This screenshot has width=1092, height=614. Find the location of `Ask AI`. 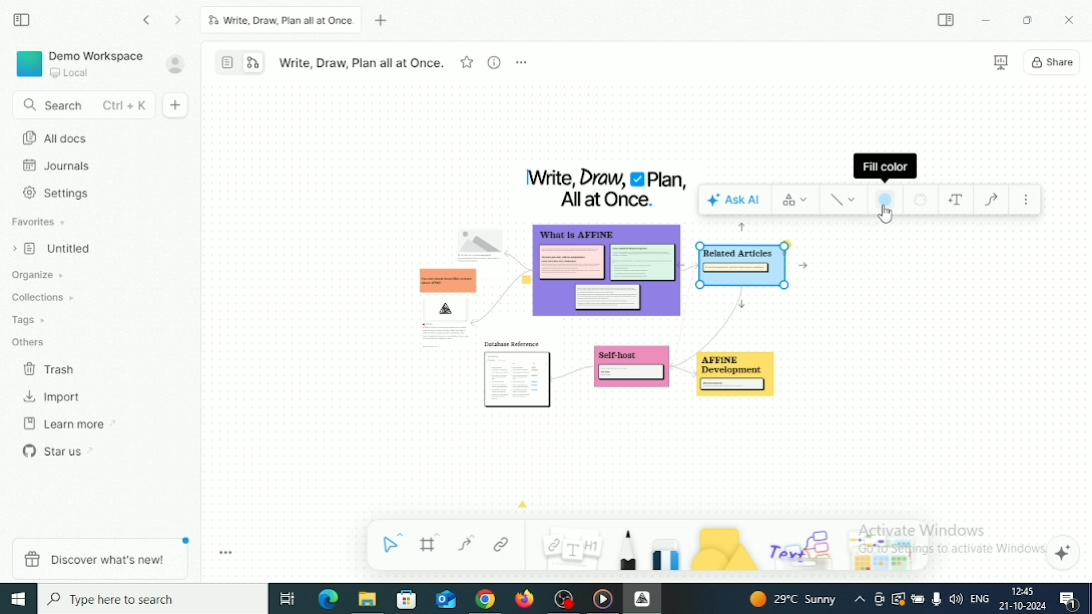

Ask AI is located at coordinates (735, 199).